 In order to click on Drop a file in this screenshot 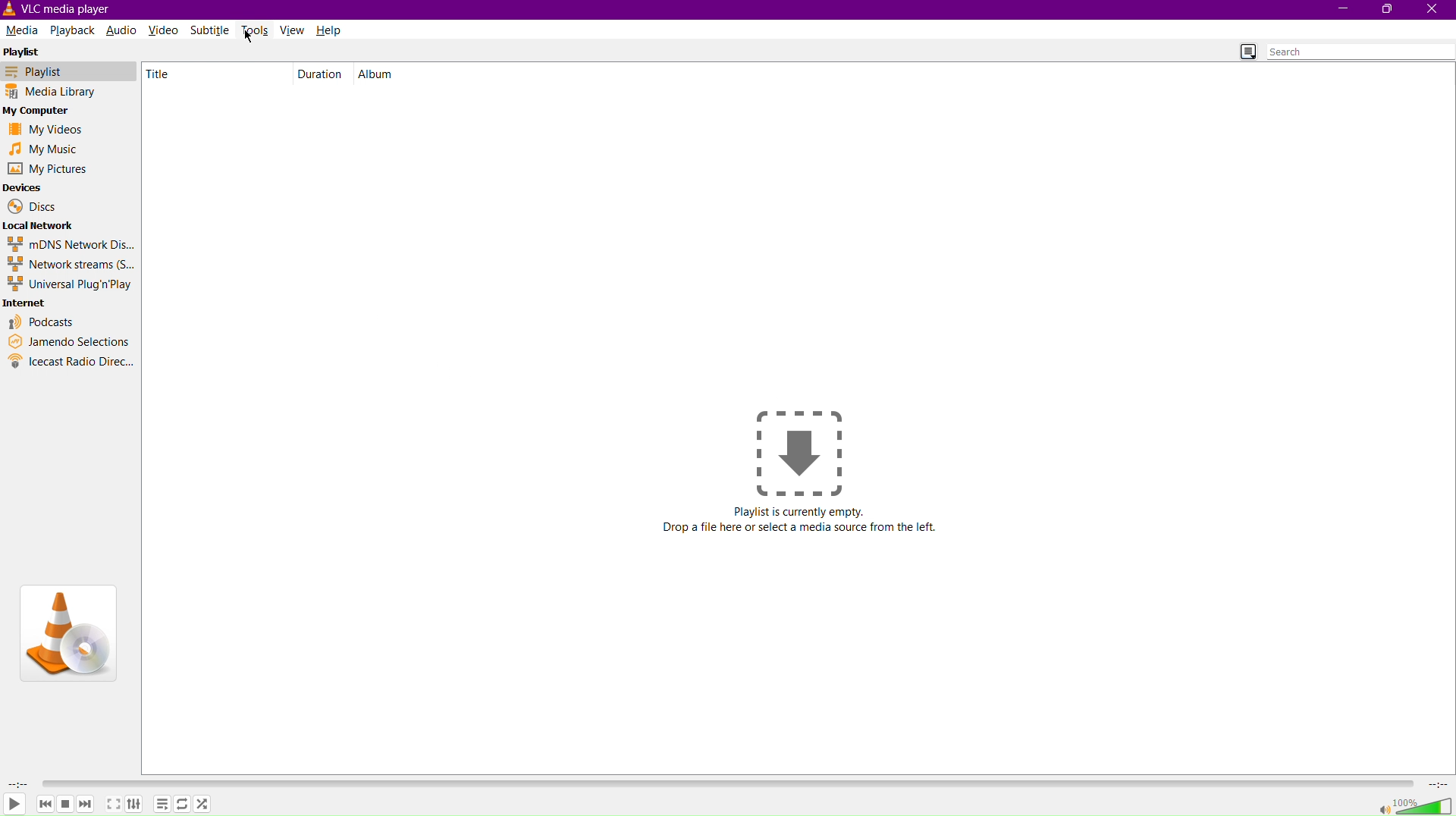, I will do `click(799, 452)`.